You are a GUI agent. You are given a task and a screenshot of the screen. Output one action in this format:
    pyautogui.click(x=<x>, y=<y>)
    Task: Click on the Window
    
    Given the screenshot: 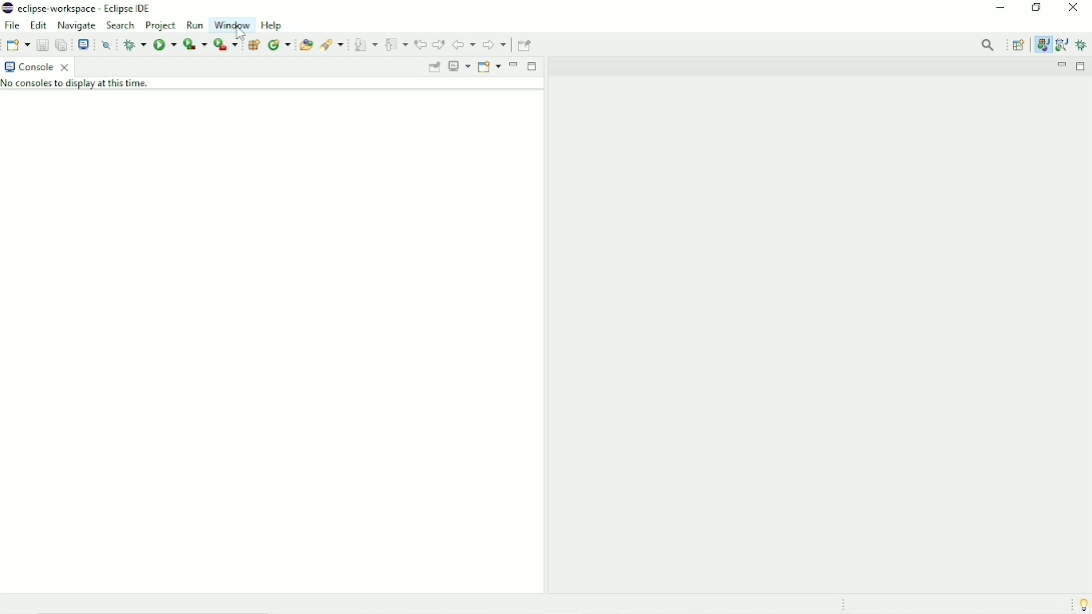 What is the action you would take?
    pyautogui.click(x=232, y=25)
    